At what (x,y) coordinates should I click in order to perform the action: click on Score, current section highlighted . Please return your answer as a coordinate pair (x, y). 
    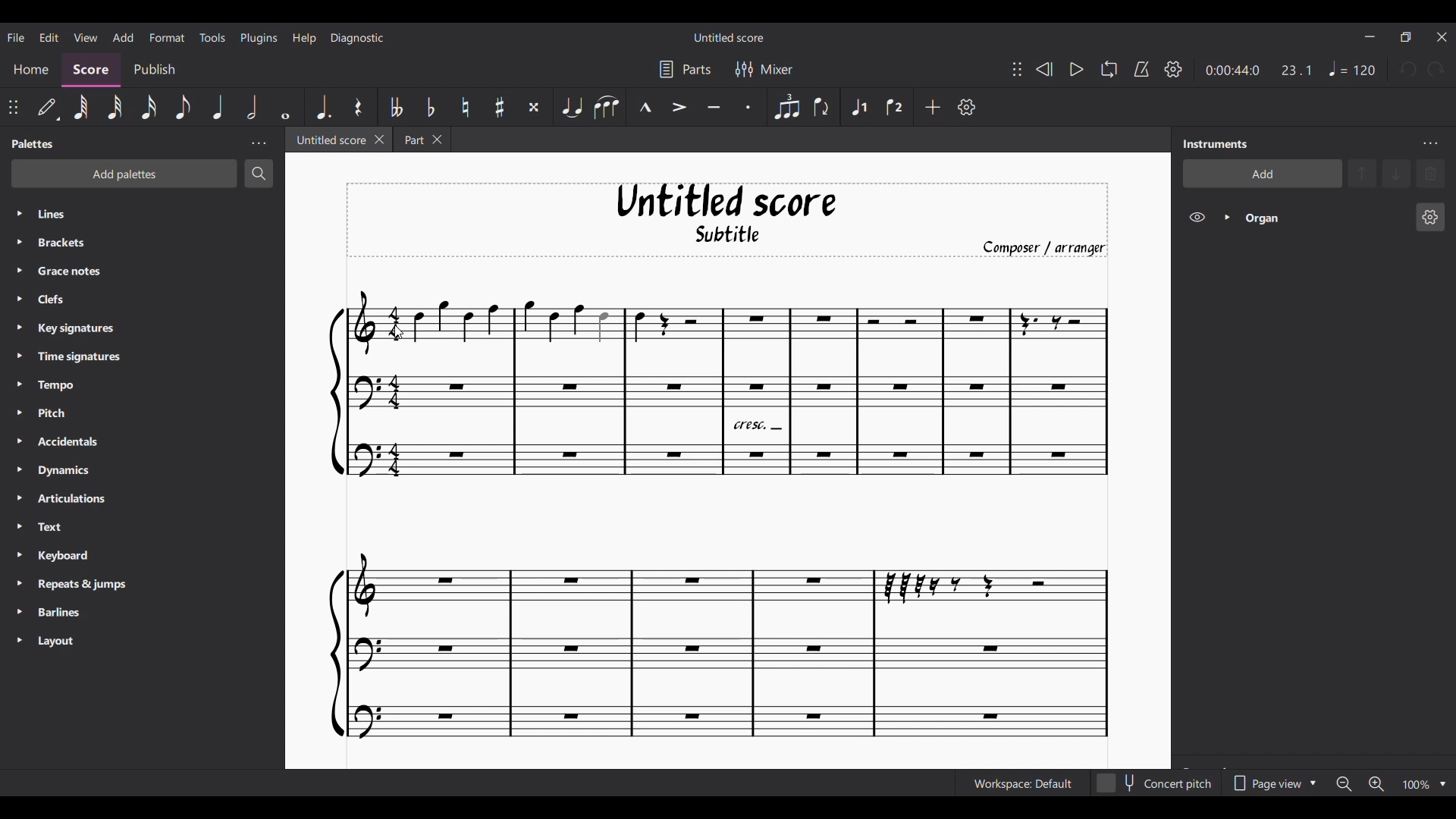
    Looking at the image, I should click on (91, 71).